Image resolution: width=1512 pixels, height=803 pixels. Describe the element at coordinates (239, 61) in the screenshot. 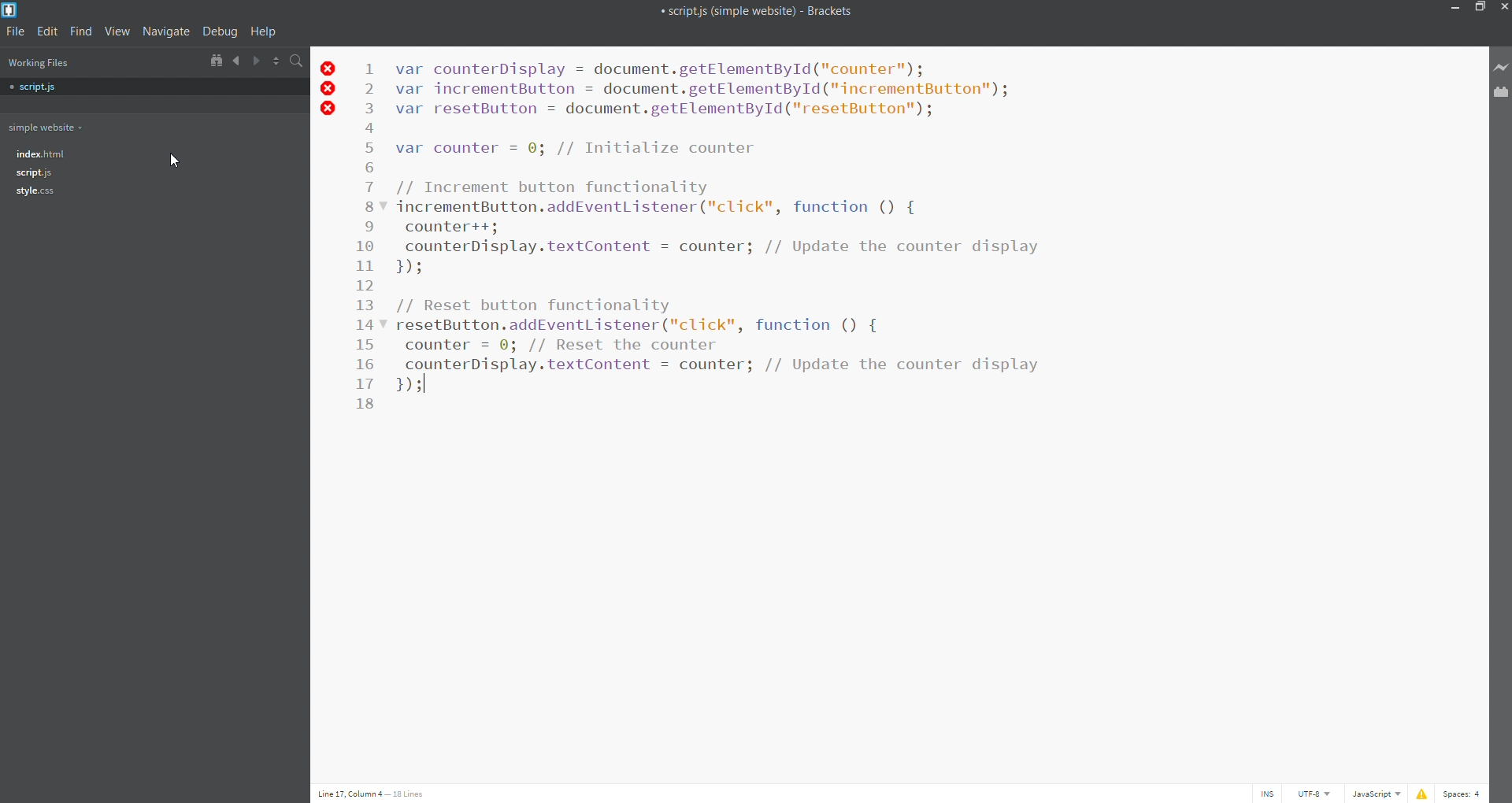

I see `navigate backward` at that location.